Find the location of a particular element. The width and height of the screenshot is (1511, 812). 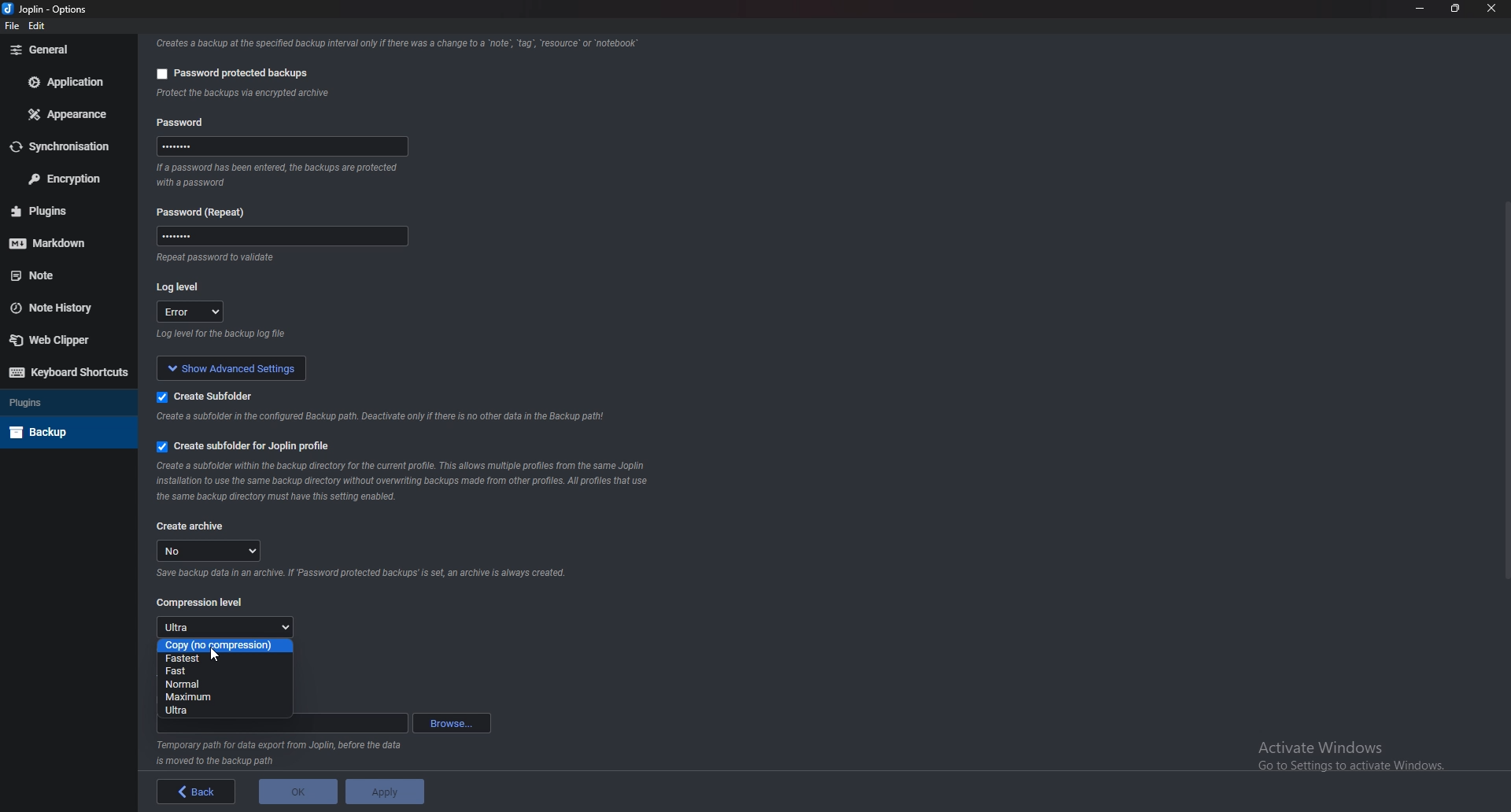

Note history is located at coordinates (65, 308).